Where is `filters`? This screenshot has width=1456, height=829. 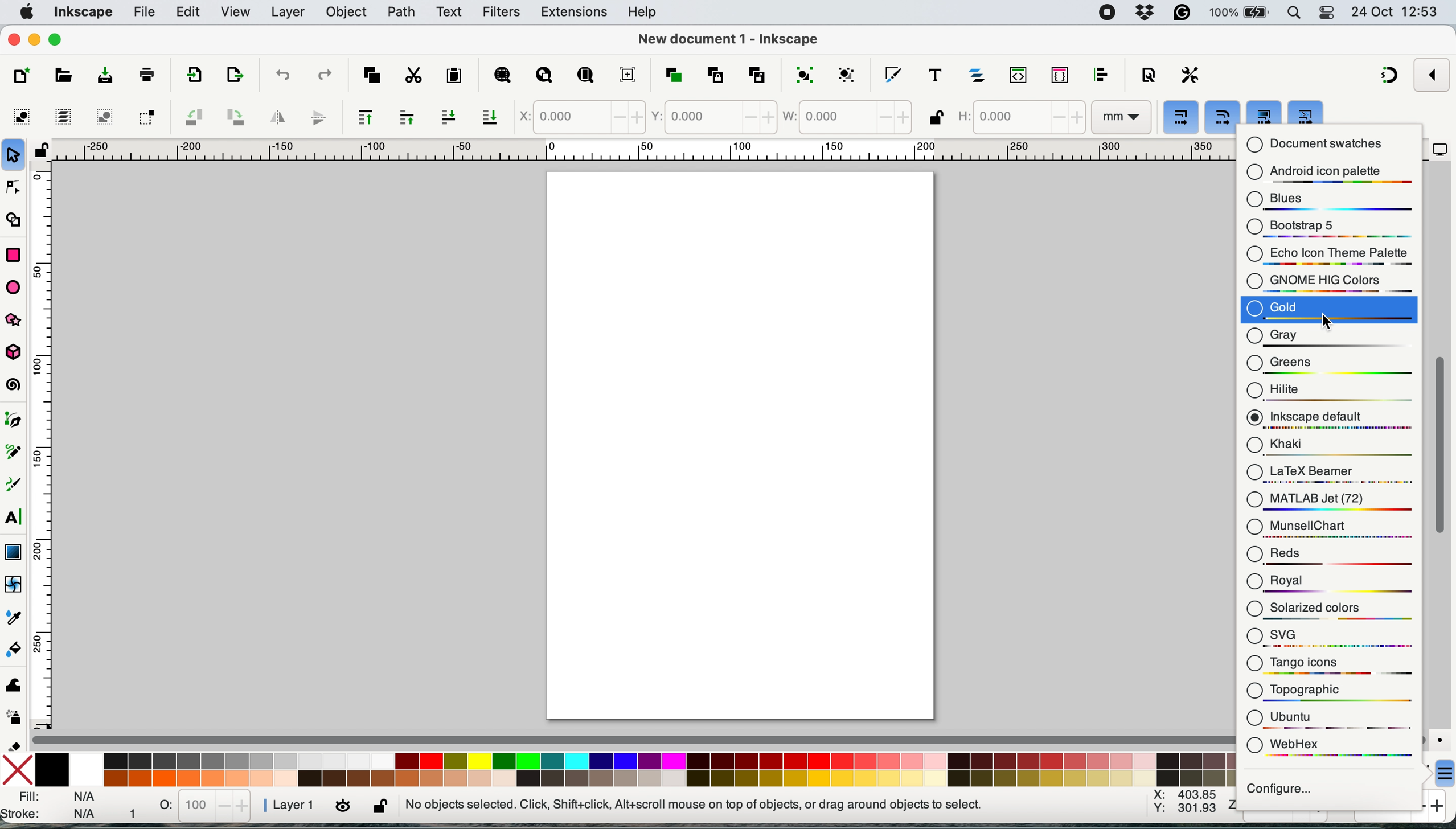 filters is located at coordinates (503, 14).